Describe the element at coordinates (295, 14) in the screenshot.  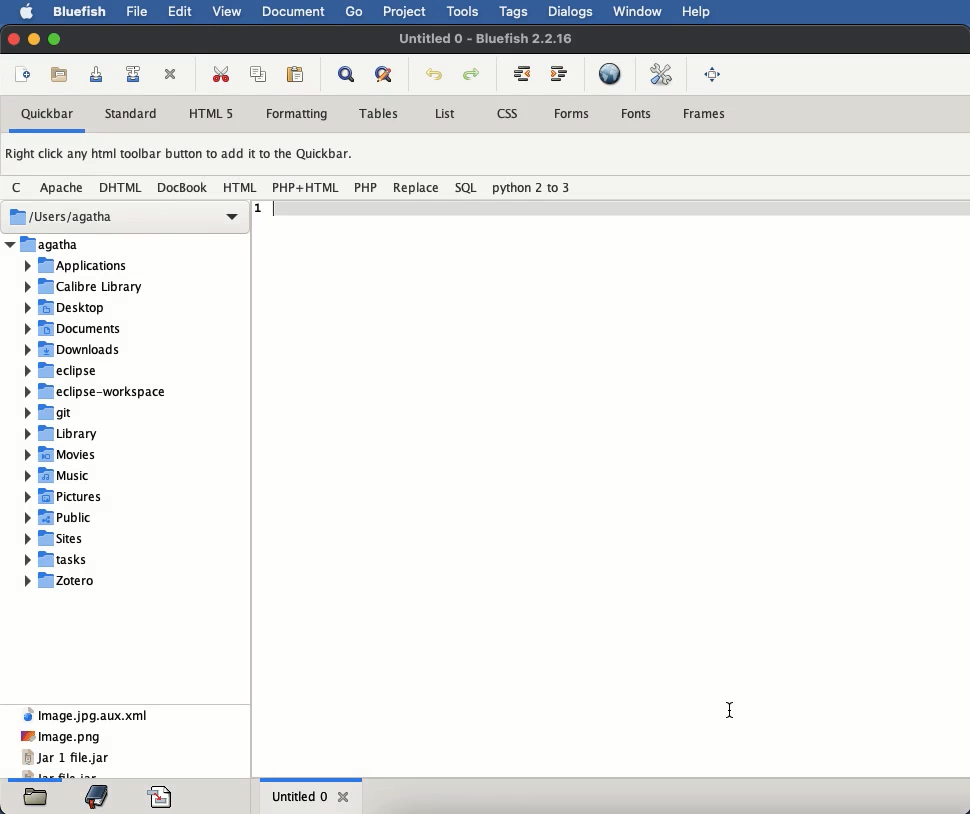
I see `document` at that location.